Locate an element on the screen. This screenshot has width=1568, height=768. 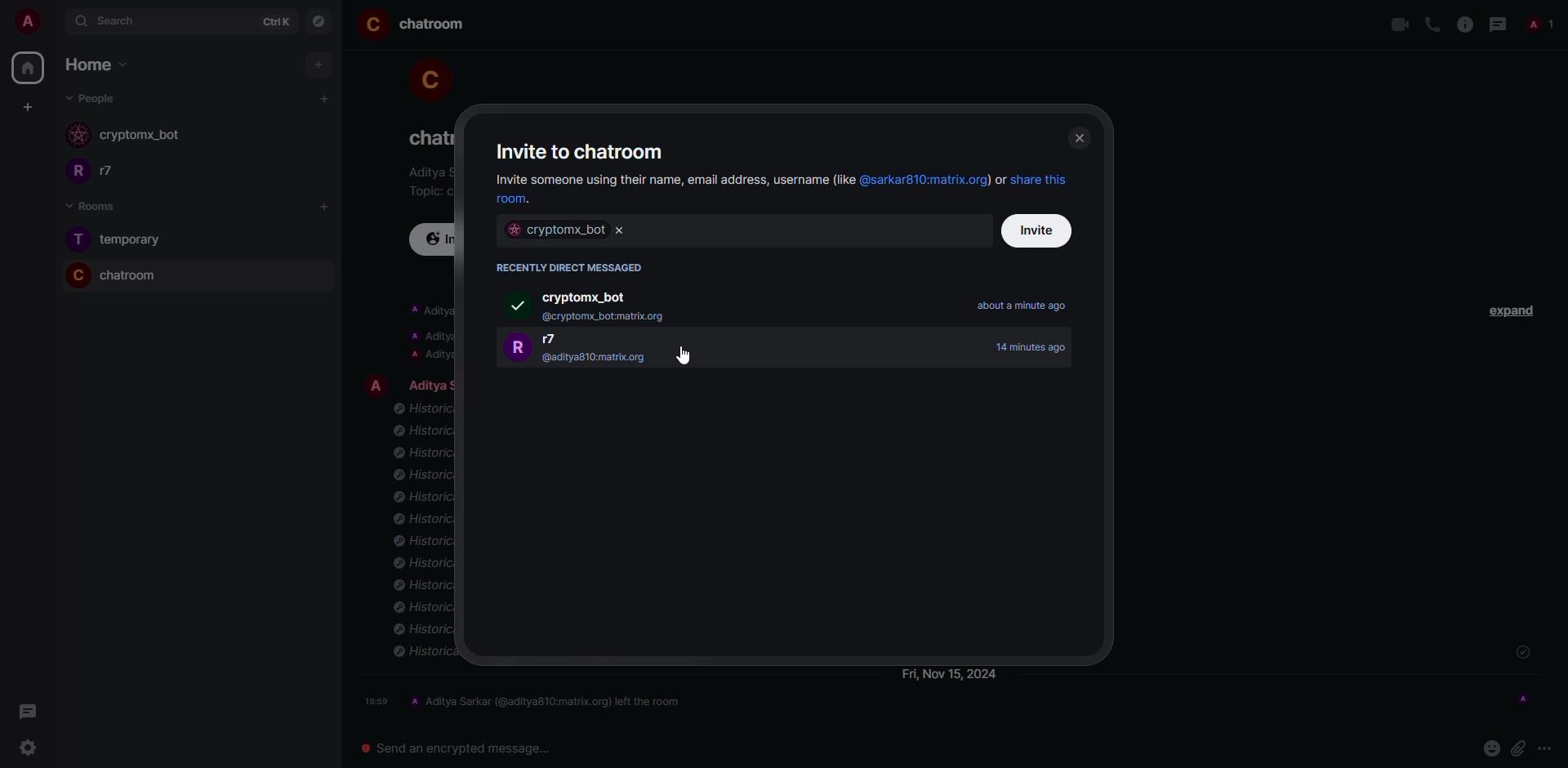
voice call is located at coordinates (1432, 25).